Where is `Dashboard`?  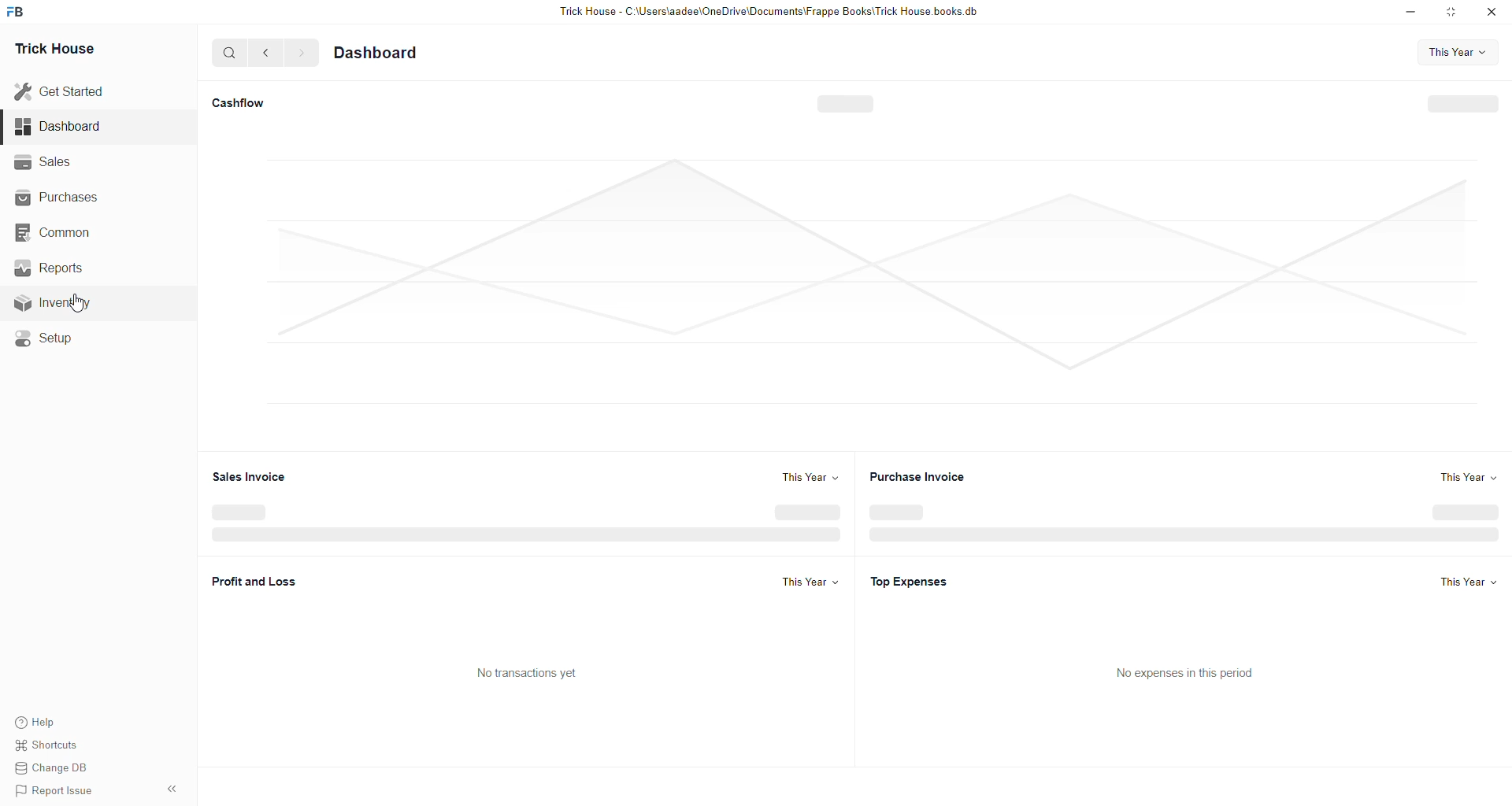
Dashboard is located at coordinates (57, 129).